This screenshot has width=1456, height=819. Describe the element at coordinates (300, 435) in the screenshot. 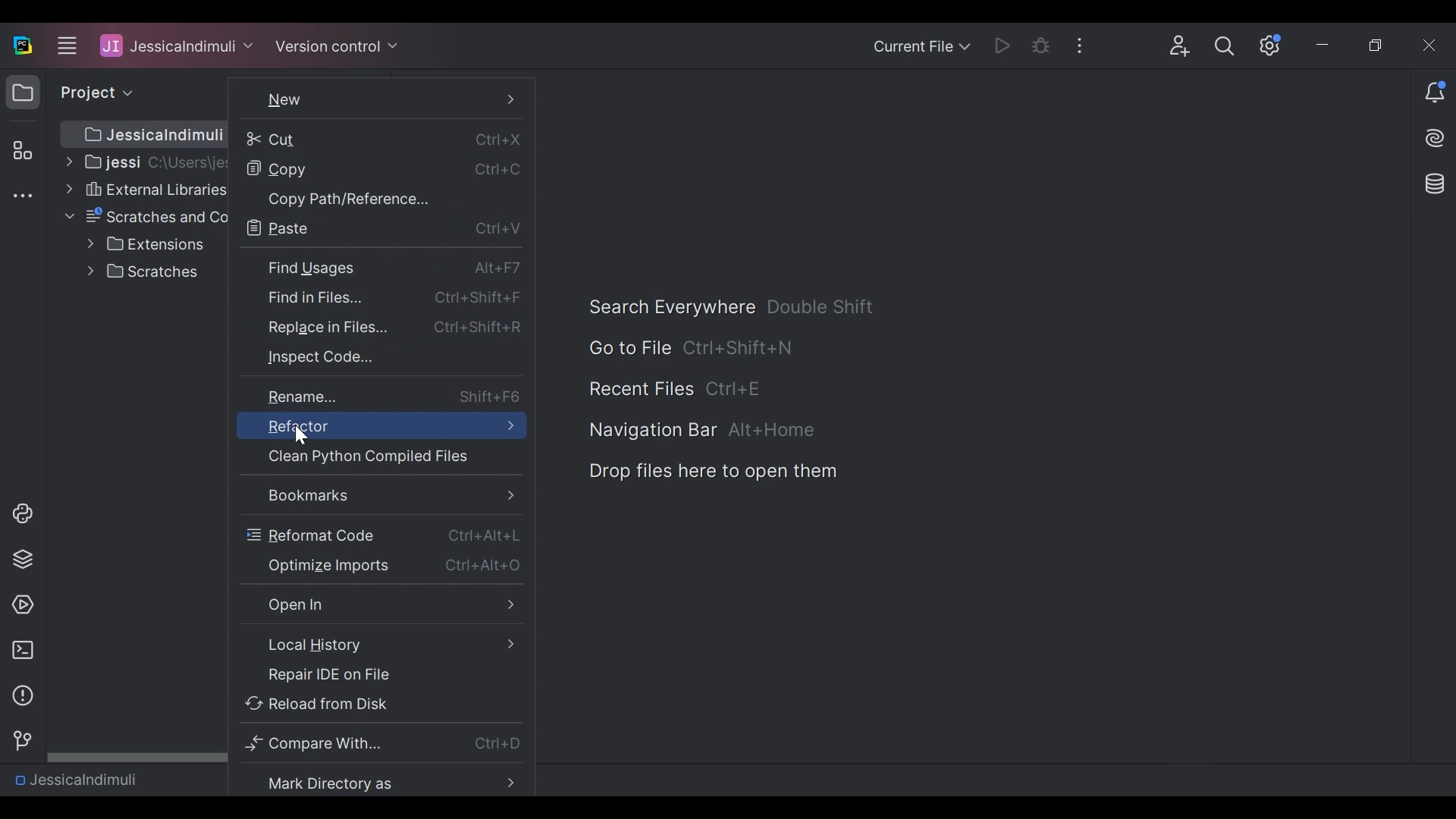

I see `Cursor` at that location.